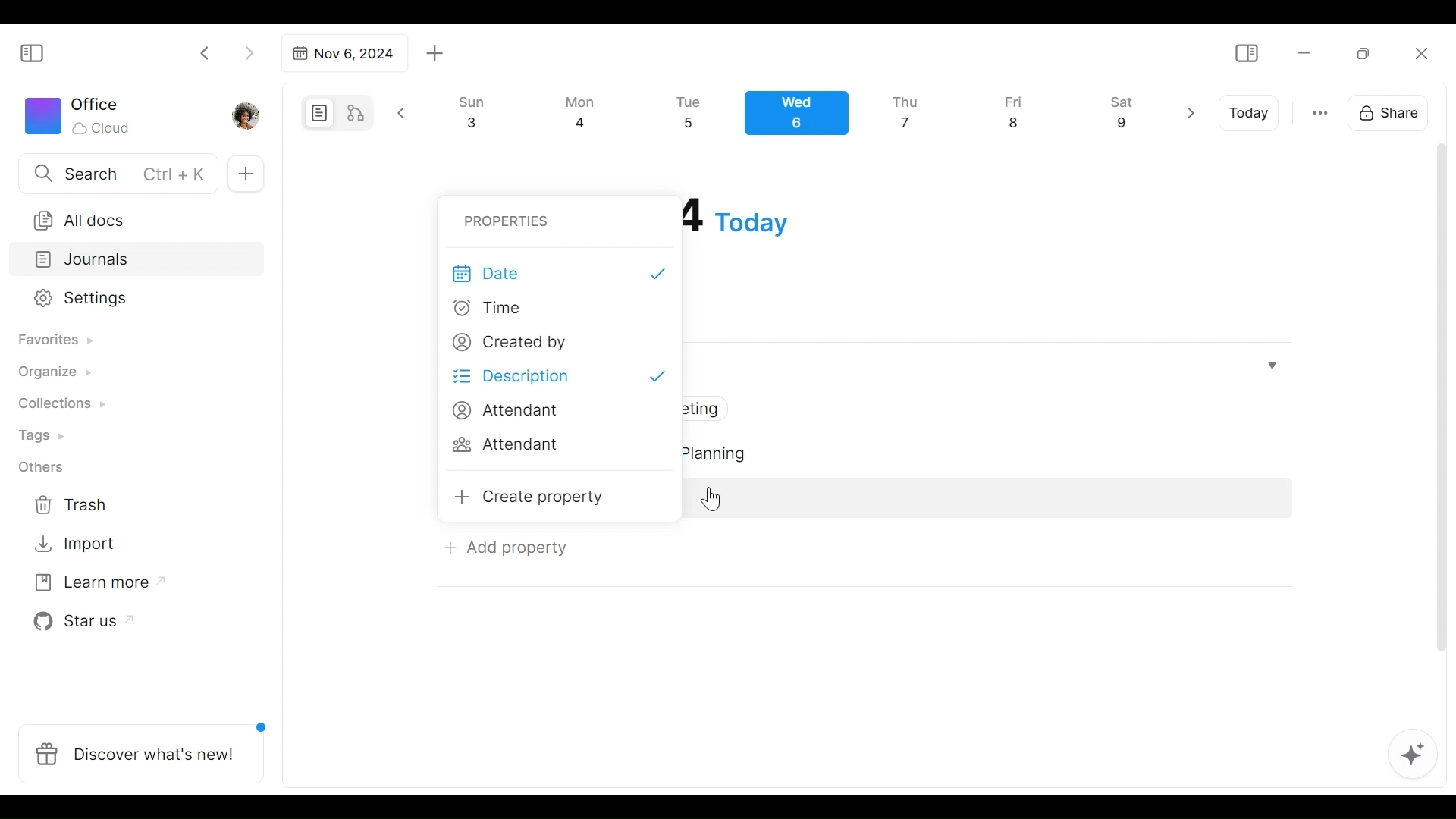  I want to click on vertical scrollbar, so click(1442, 431).